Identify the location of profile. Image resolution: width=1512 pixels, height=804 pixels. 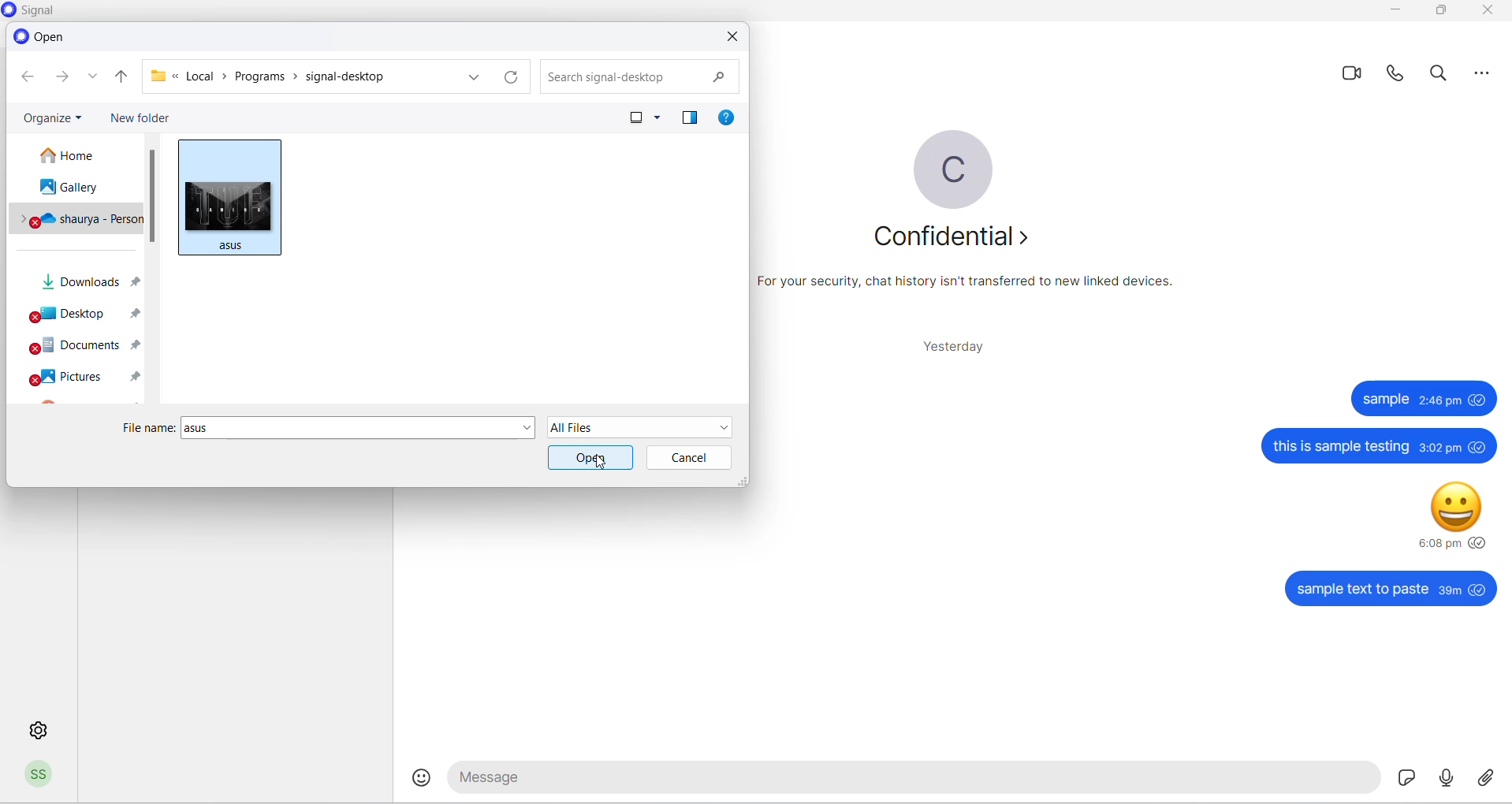
(40, 777).